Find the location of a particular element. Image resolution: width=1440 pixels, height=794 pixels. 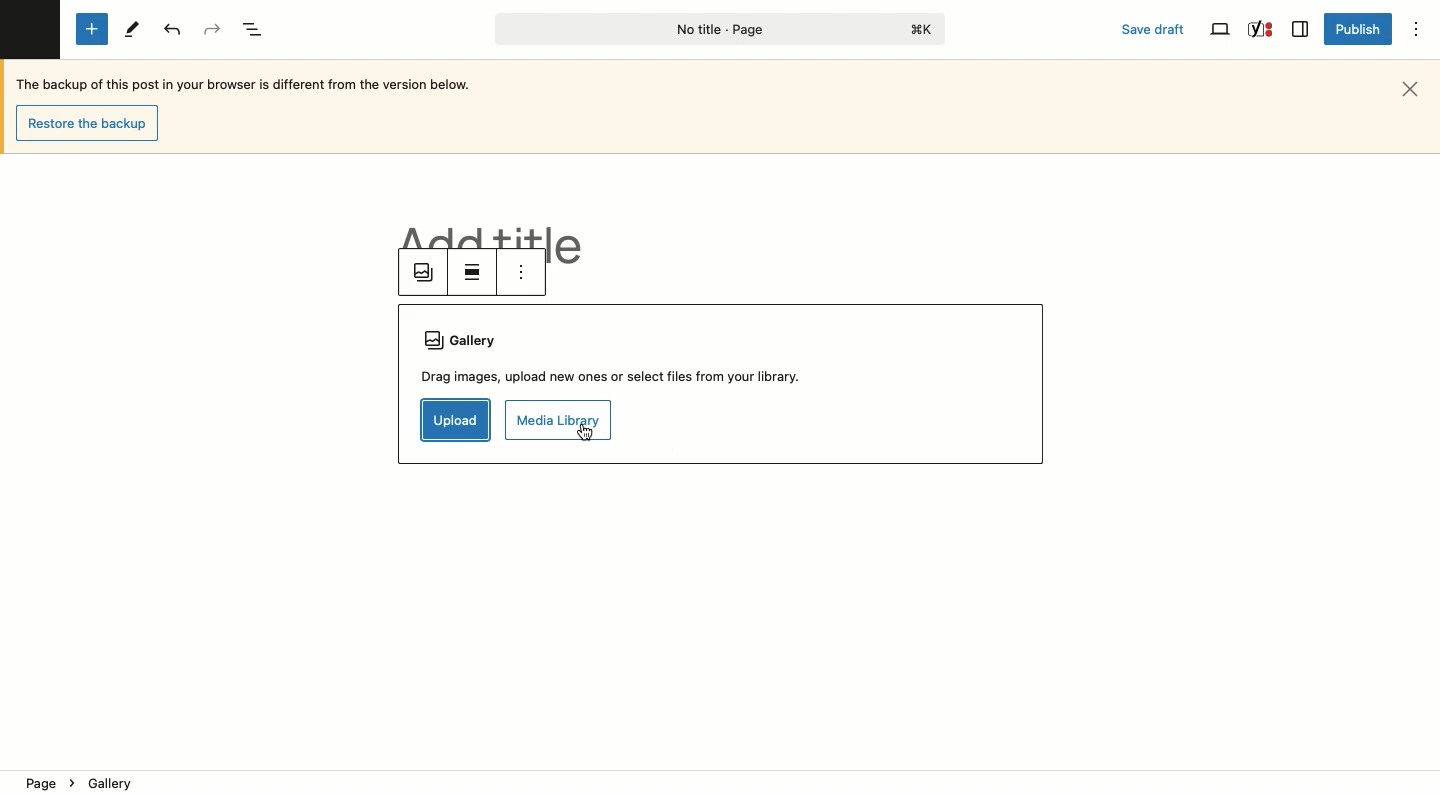

Publish is located at coordinates (1355, 28).